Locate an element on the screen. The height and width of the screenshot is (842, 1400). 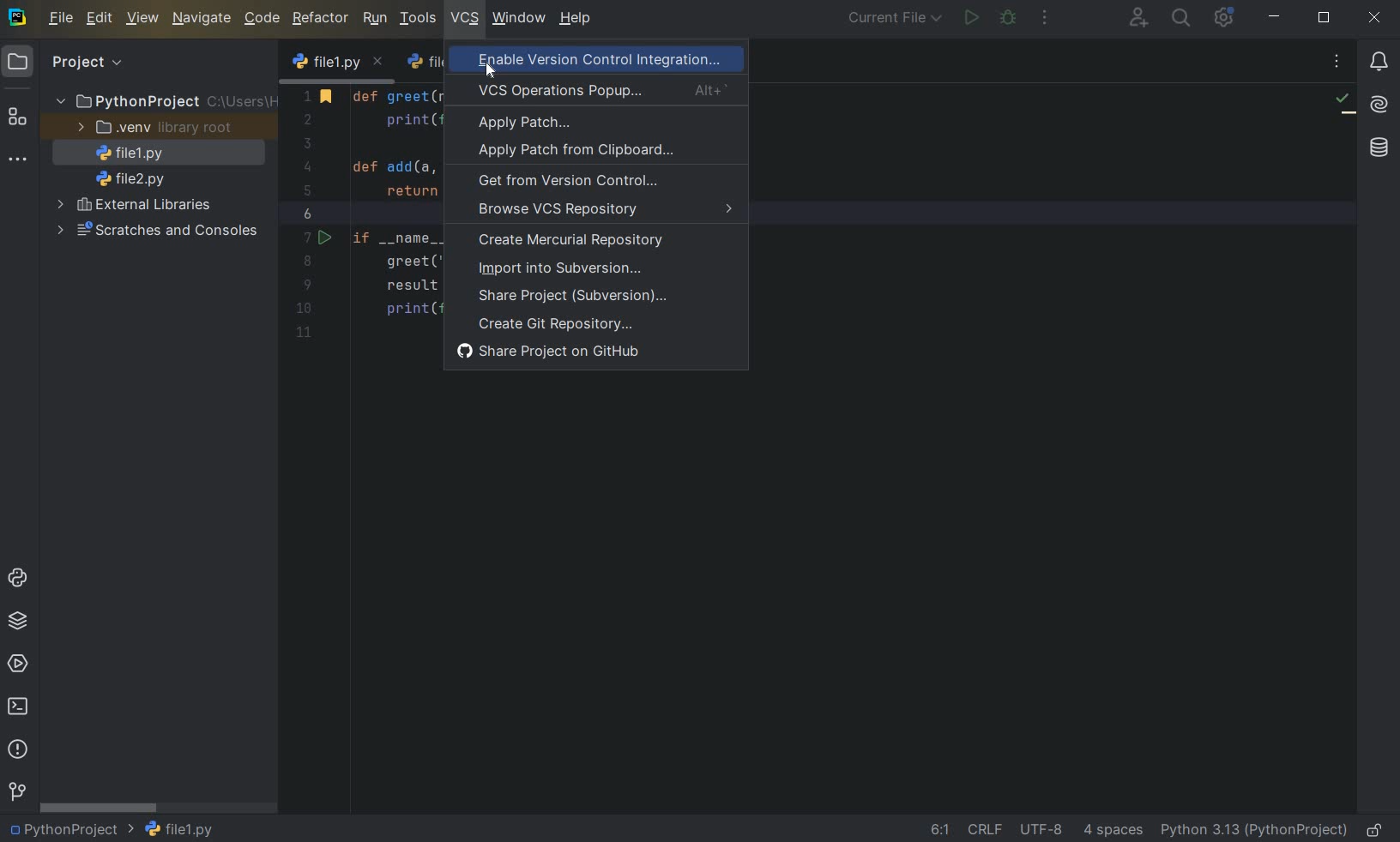
project name is located at coordinates (70, 831).